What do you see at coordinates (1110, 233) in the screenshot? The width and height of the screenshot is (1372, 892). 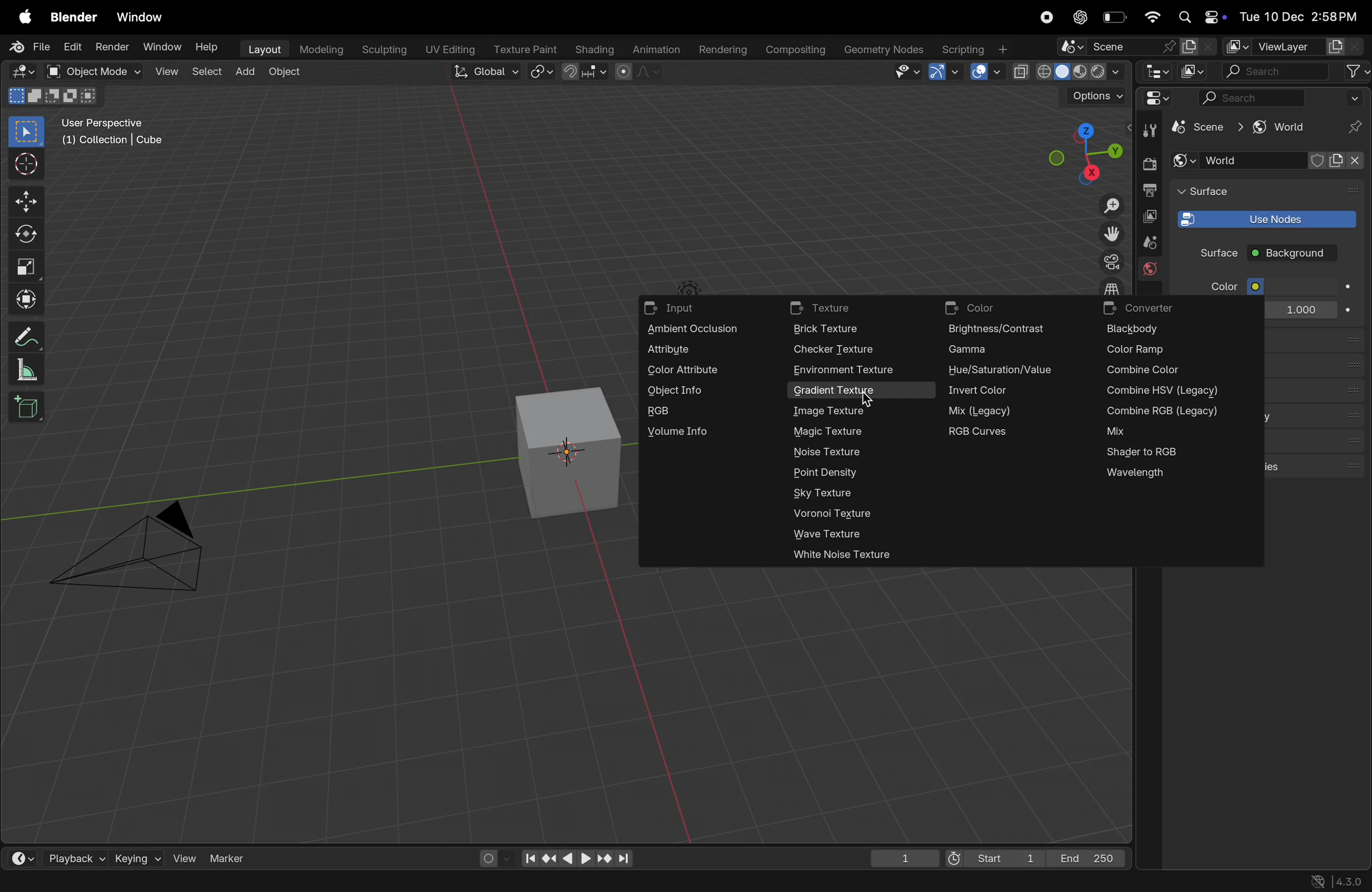 I see `move the view` at bounding box center [1110, 233].